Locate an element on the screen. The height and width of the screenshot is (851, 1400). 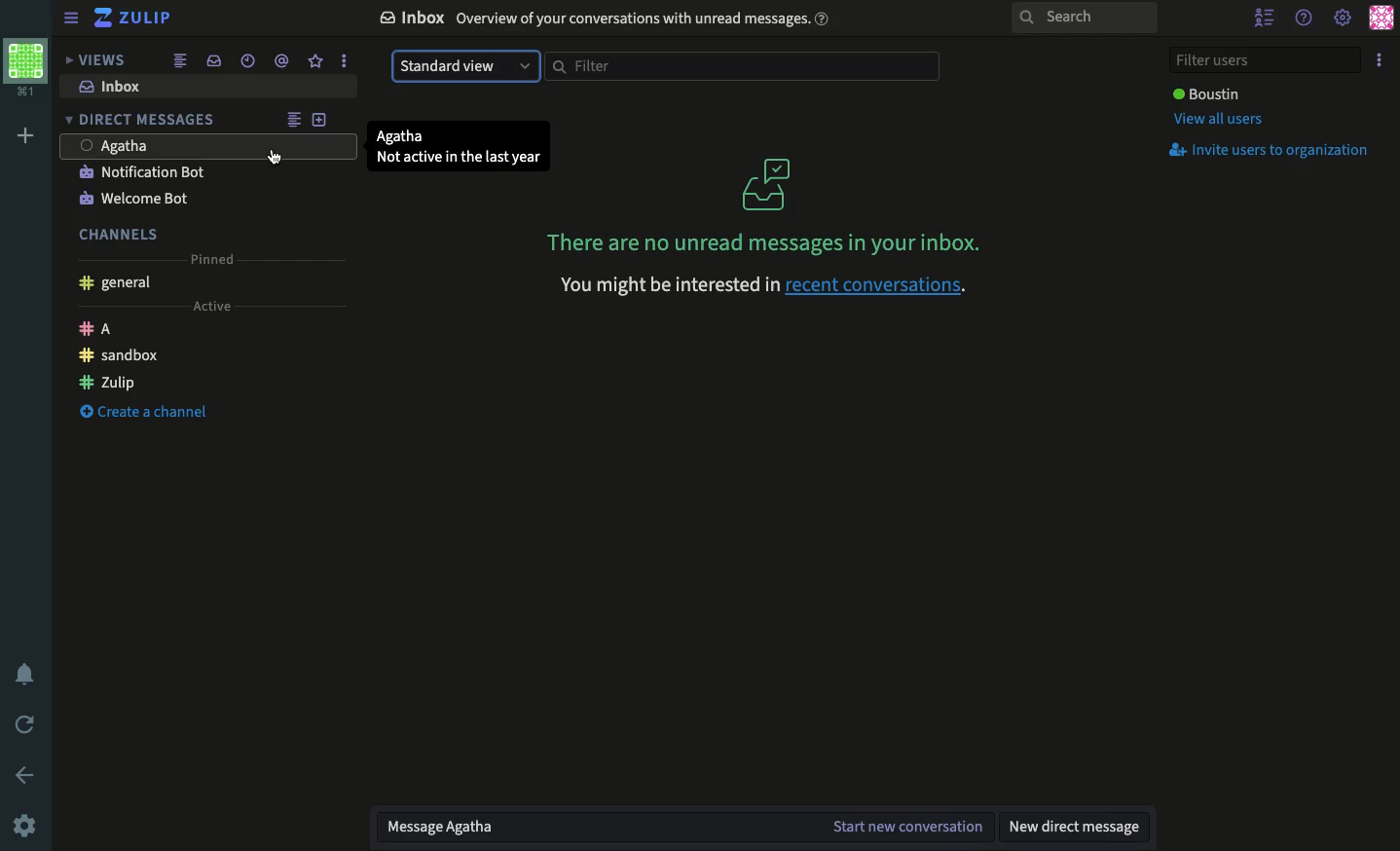
thread is located at coordinates (285, 62).